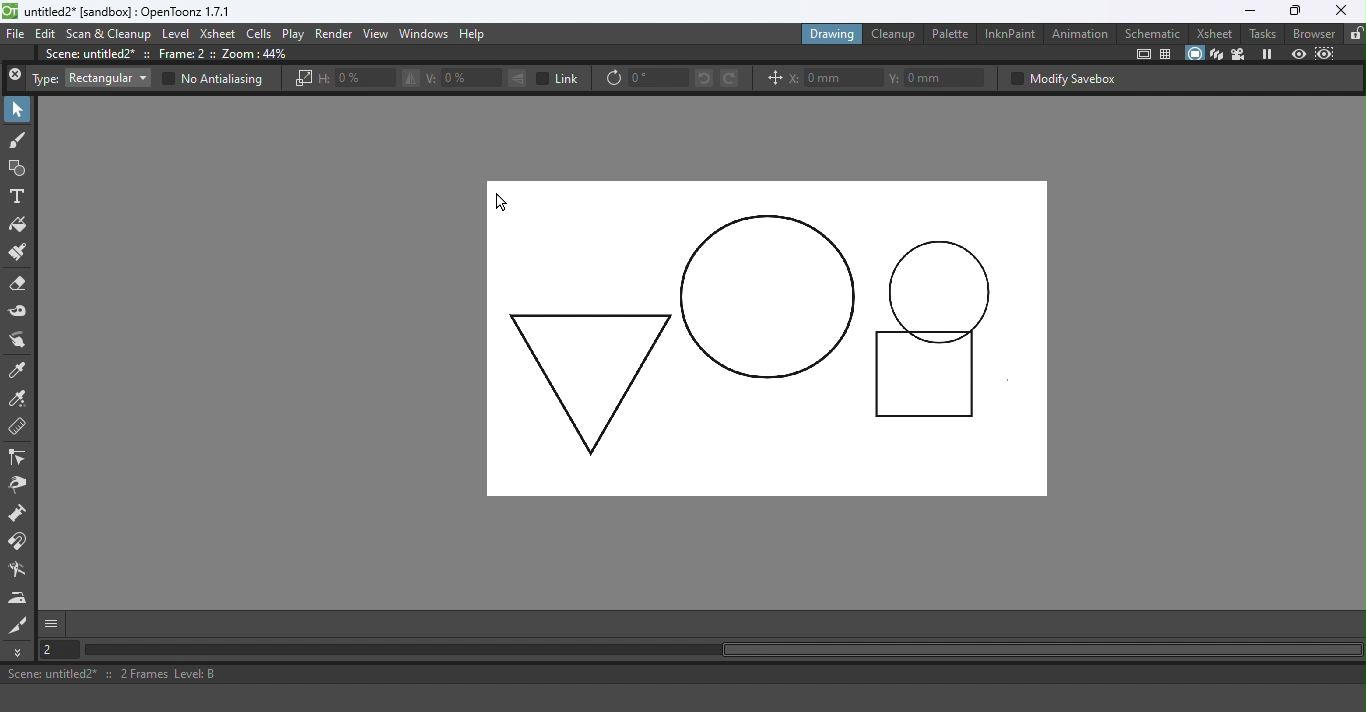  I want to click on Animation, so click(1081, 33).